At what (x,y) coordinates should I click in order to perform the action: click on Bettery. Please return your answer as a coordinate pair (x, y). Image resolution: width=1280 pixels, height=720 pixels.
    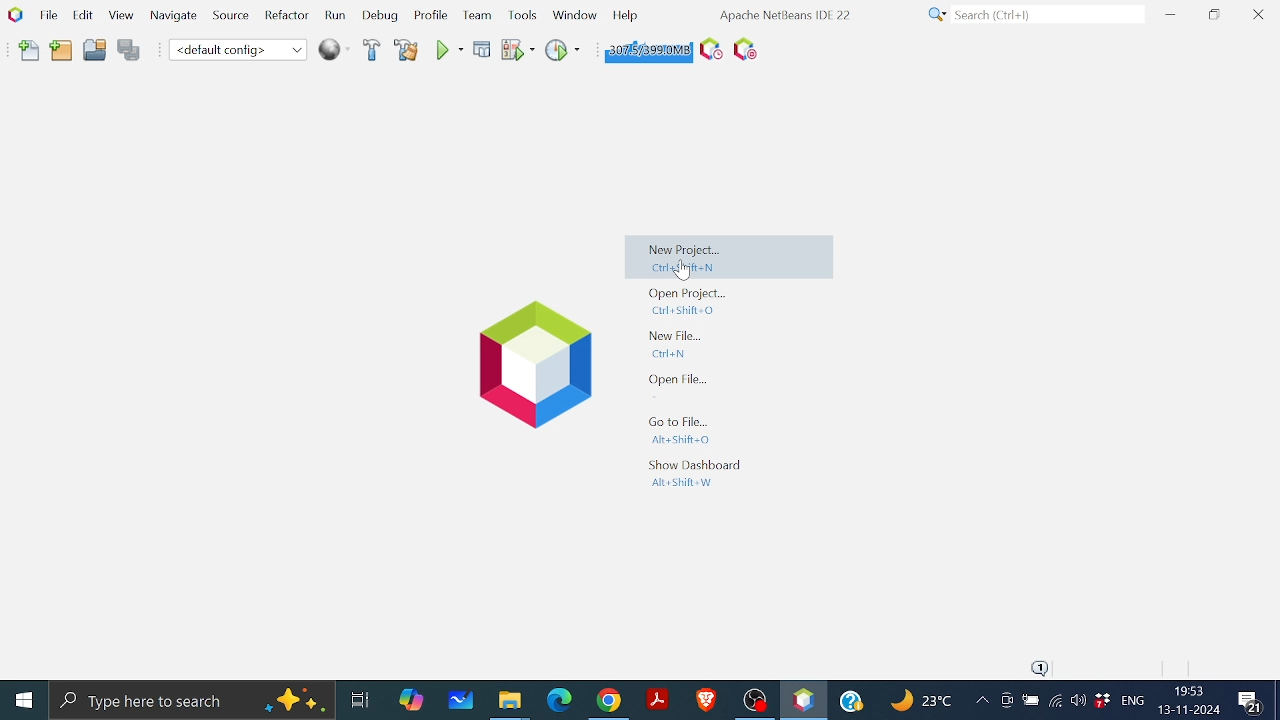
    Looking at the image, I should click on (1030, 701).